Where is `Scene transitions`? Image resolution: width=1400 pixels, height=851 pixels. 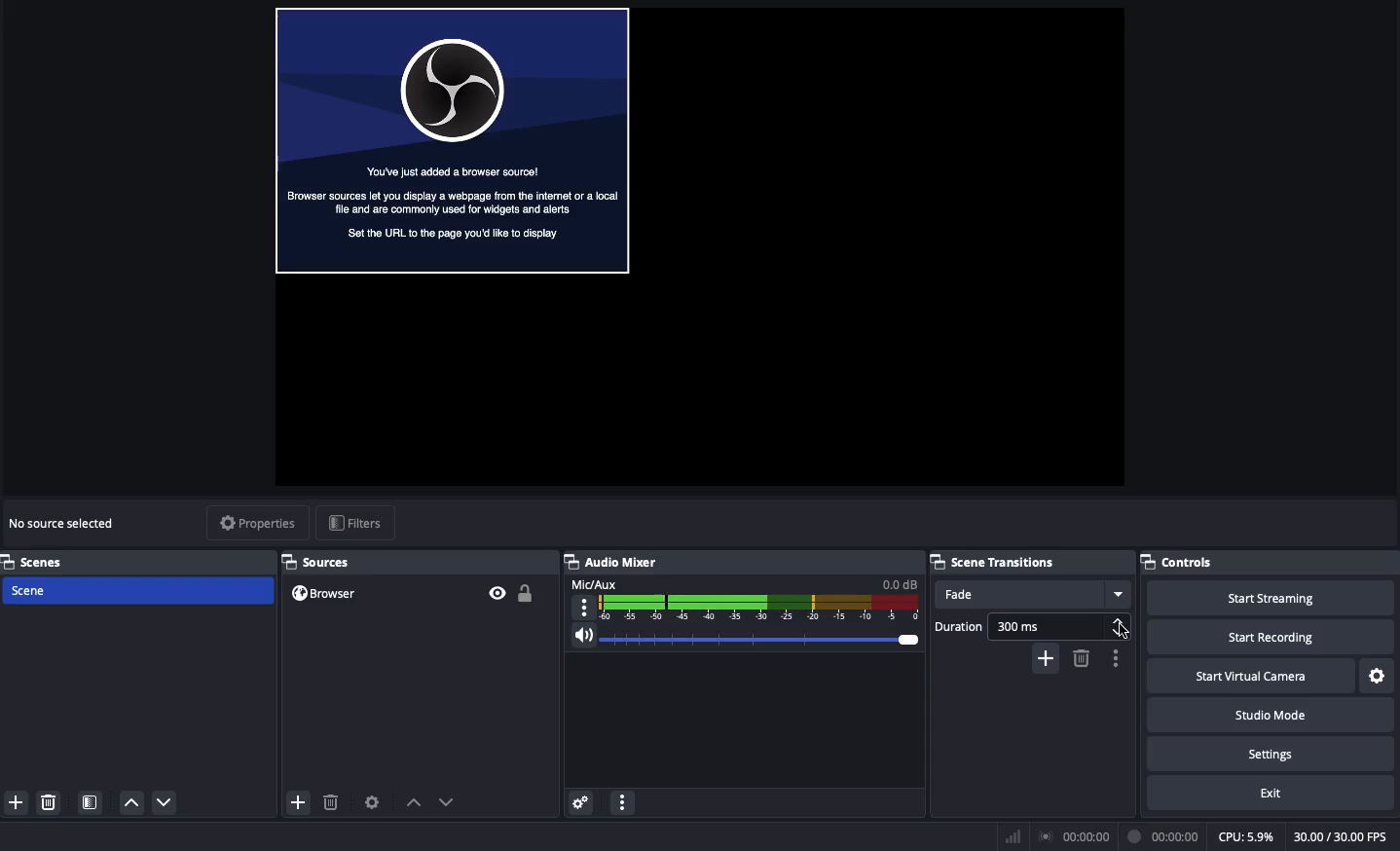 Scene transitions is located at coordinates (996, 564).